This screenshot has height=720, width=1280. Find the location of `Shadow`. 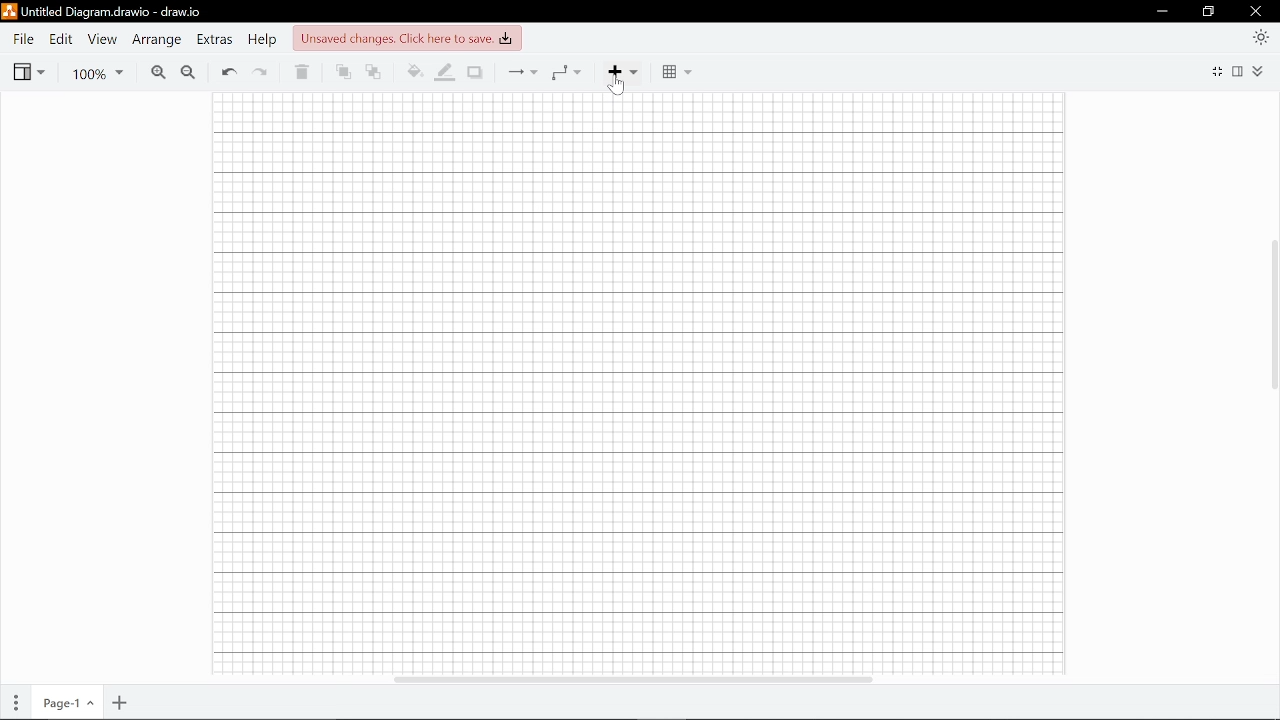

Shadow is located at coordinates (474, 72).